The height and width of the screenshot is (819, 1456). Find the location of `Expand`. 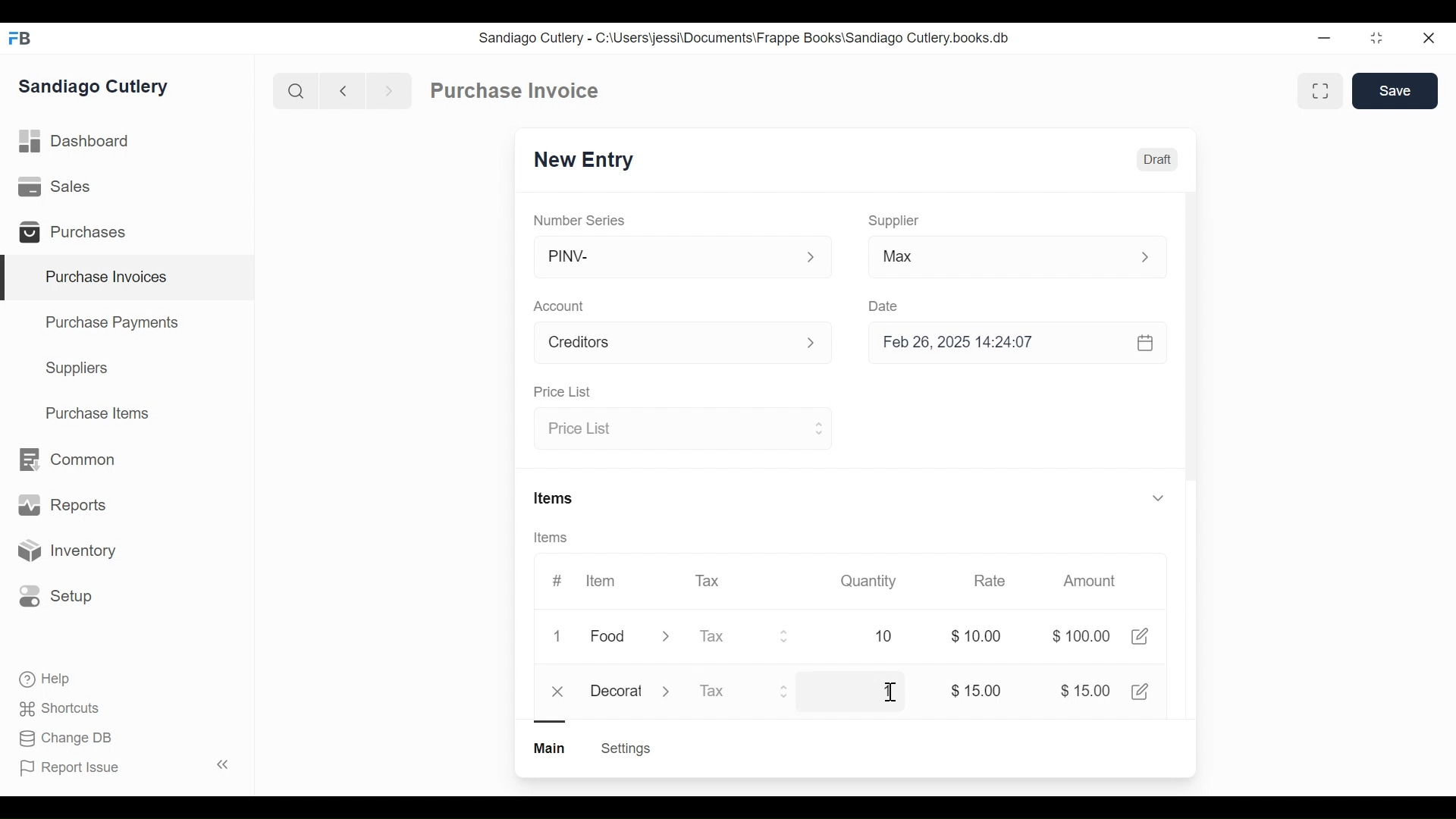

Expand is located at coordinates (669, 690).